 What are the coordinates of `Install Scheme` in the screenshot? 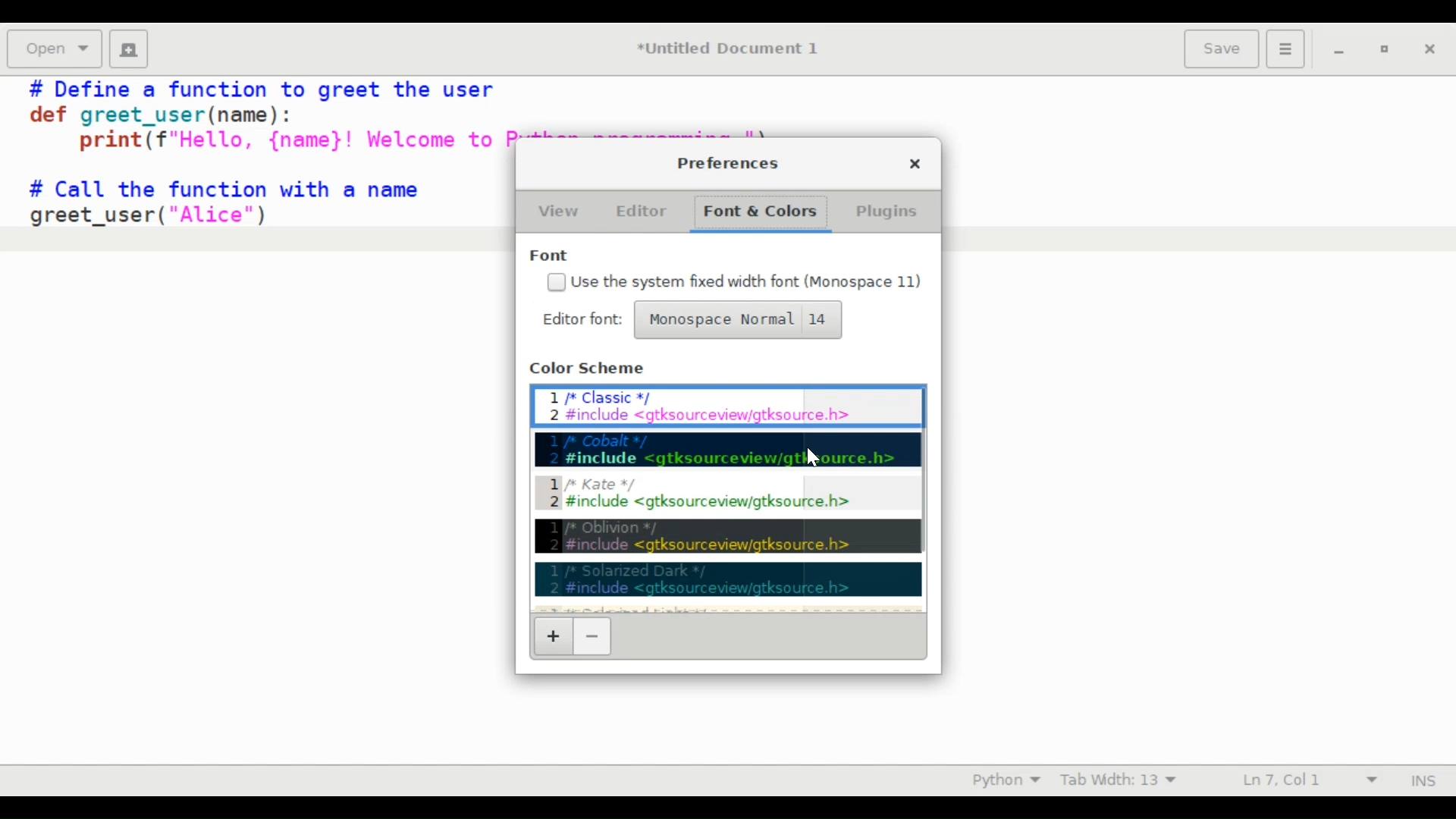 It's located at (555, 638).